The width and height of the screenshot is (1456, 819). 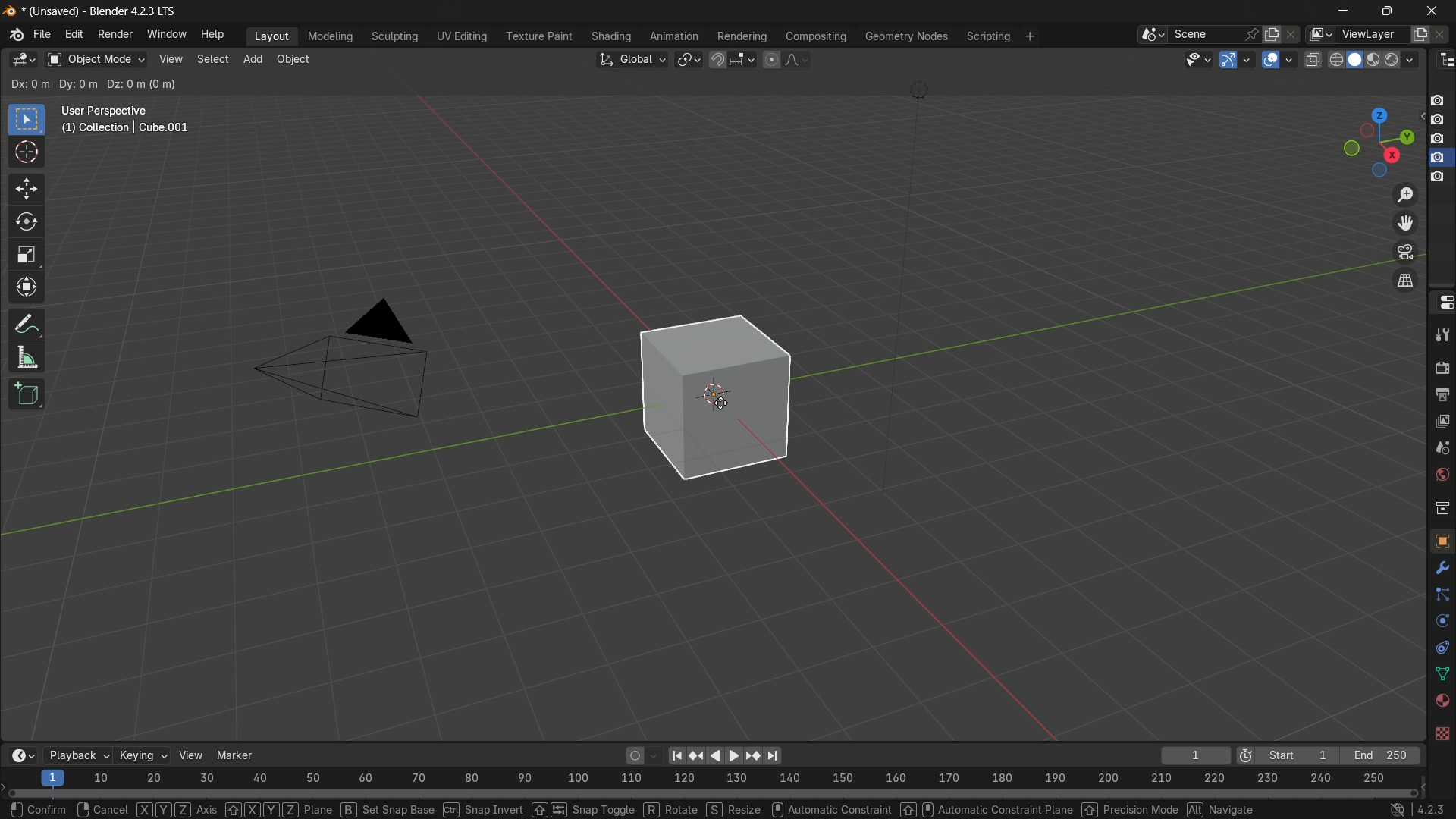 What do you see at coordinates (79, 755) in the screenshot?
I see `playback` at bounding box center [79, 755].